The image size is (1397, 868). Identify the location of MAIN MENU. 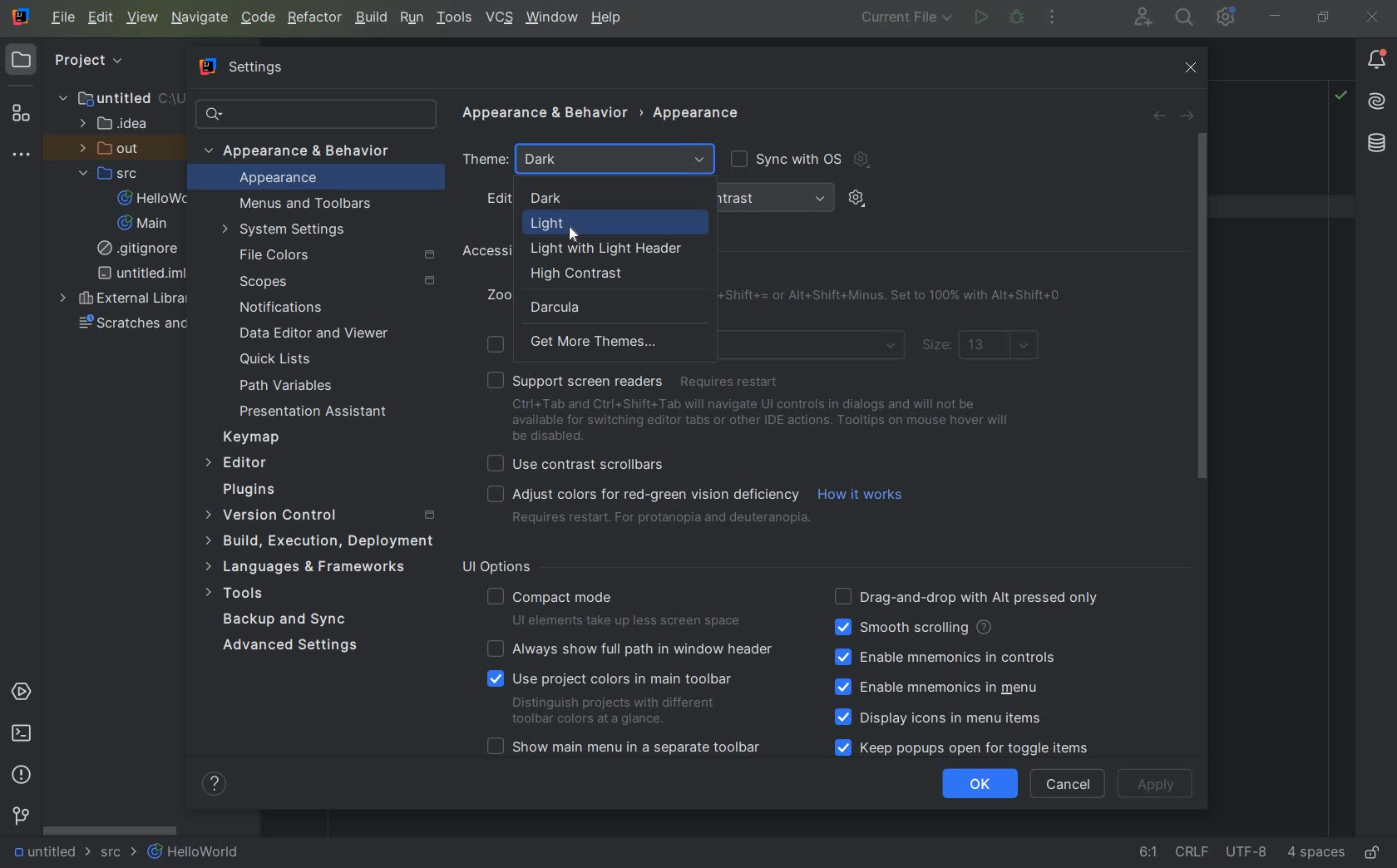
(60, 17).